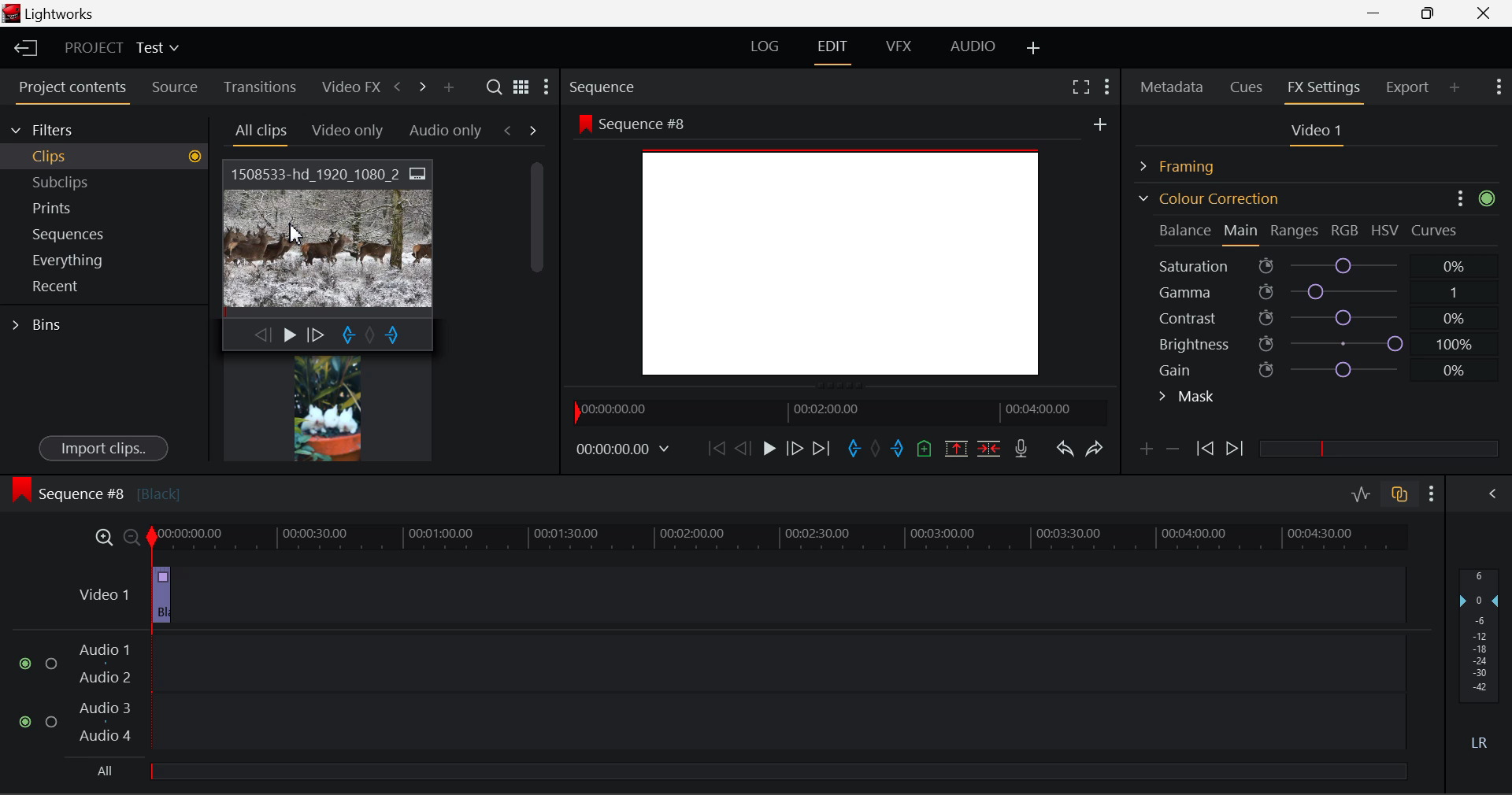  Describe the element at coordinates (1478, 663) in the screenshot. I see `Decibel Gain` at that location.